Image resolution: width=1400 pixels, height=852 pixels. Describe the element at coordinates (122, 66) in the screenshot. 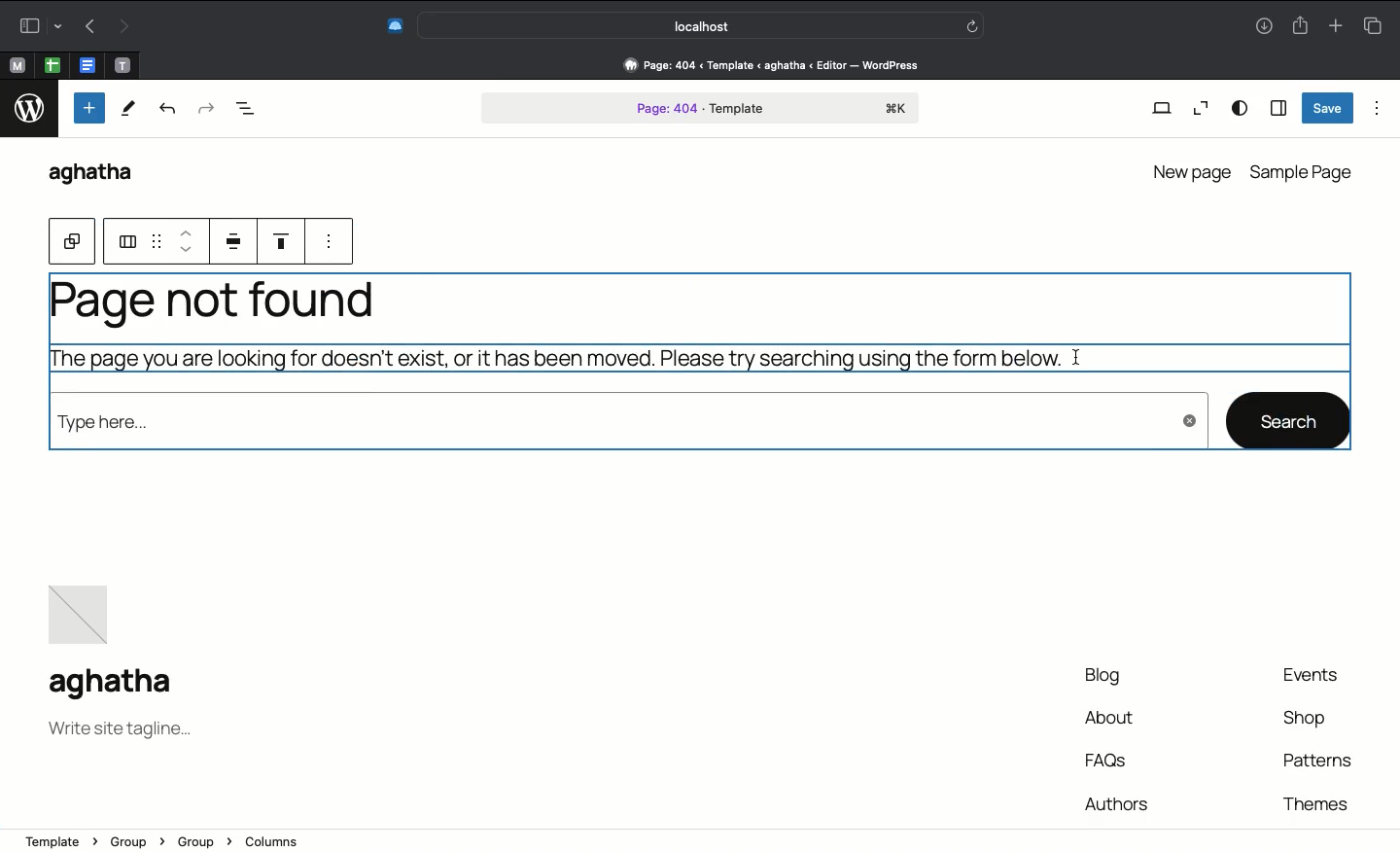

I see `open tab` at that location.